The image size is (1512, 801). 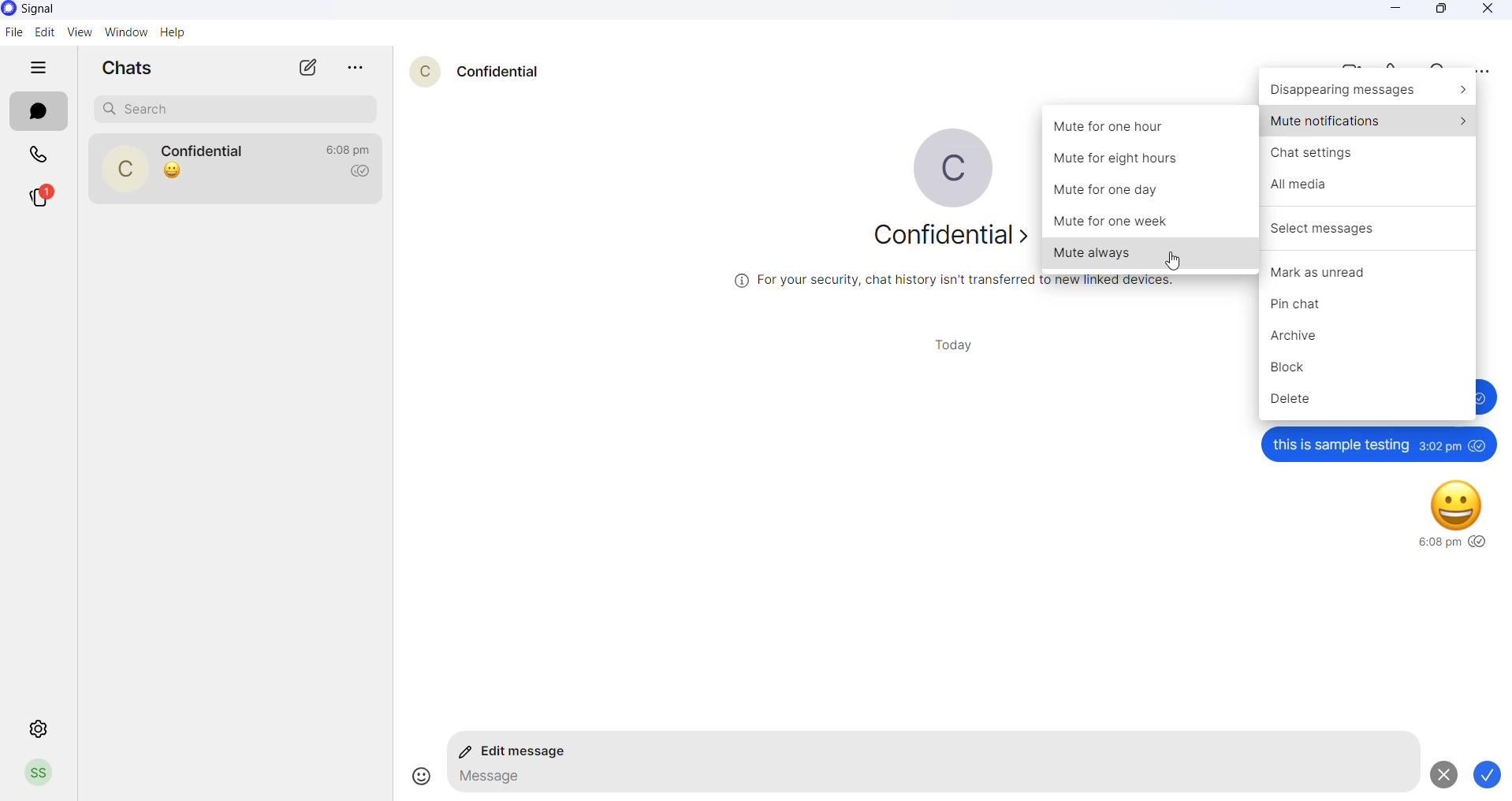 What do you see at coordinates (1444, 12) in the screenshot?
I see `maximize` at bounding box center [1444, 12].